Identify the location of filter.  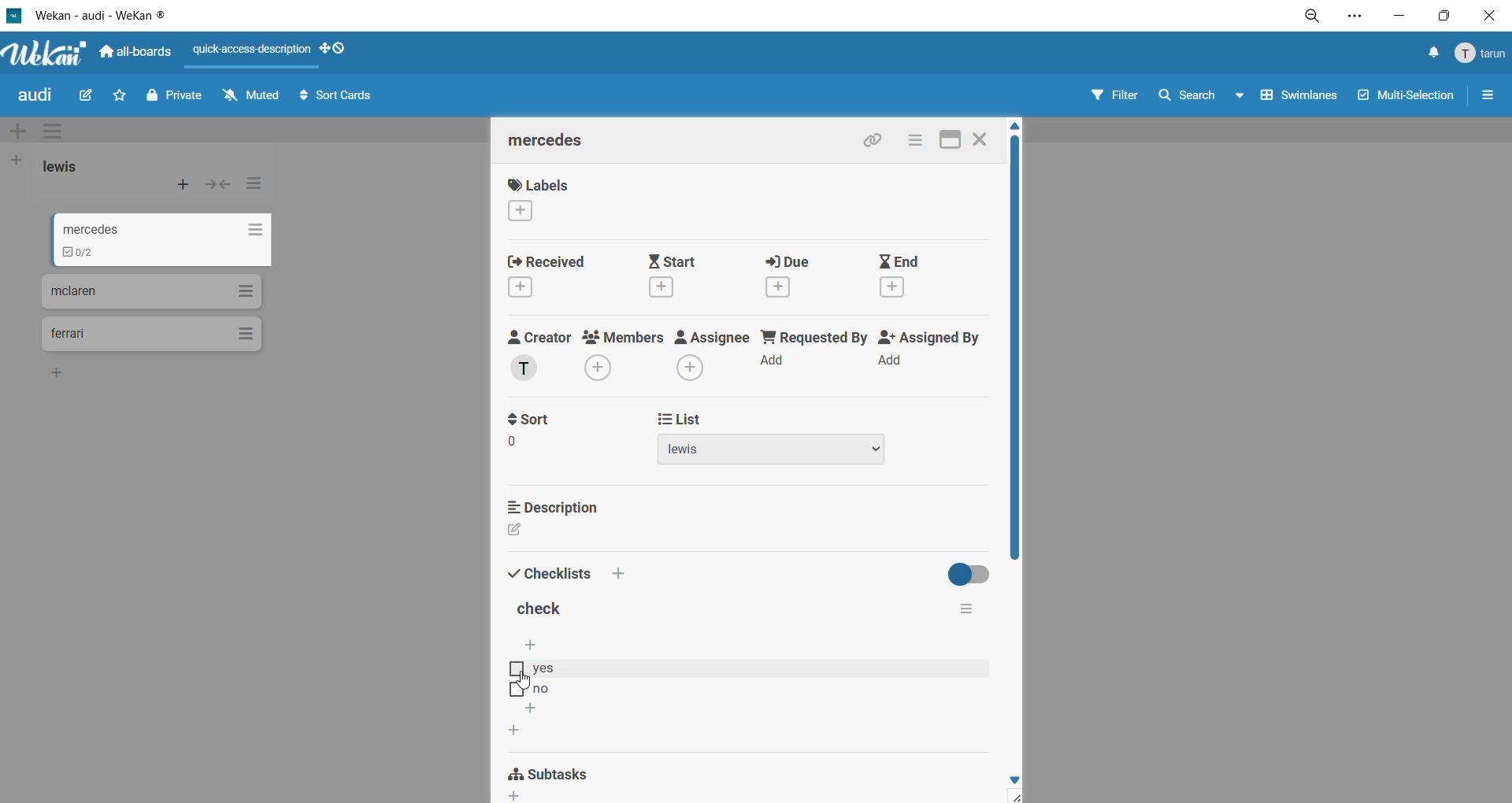
(1115, 96).